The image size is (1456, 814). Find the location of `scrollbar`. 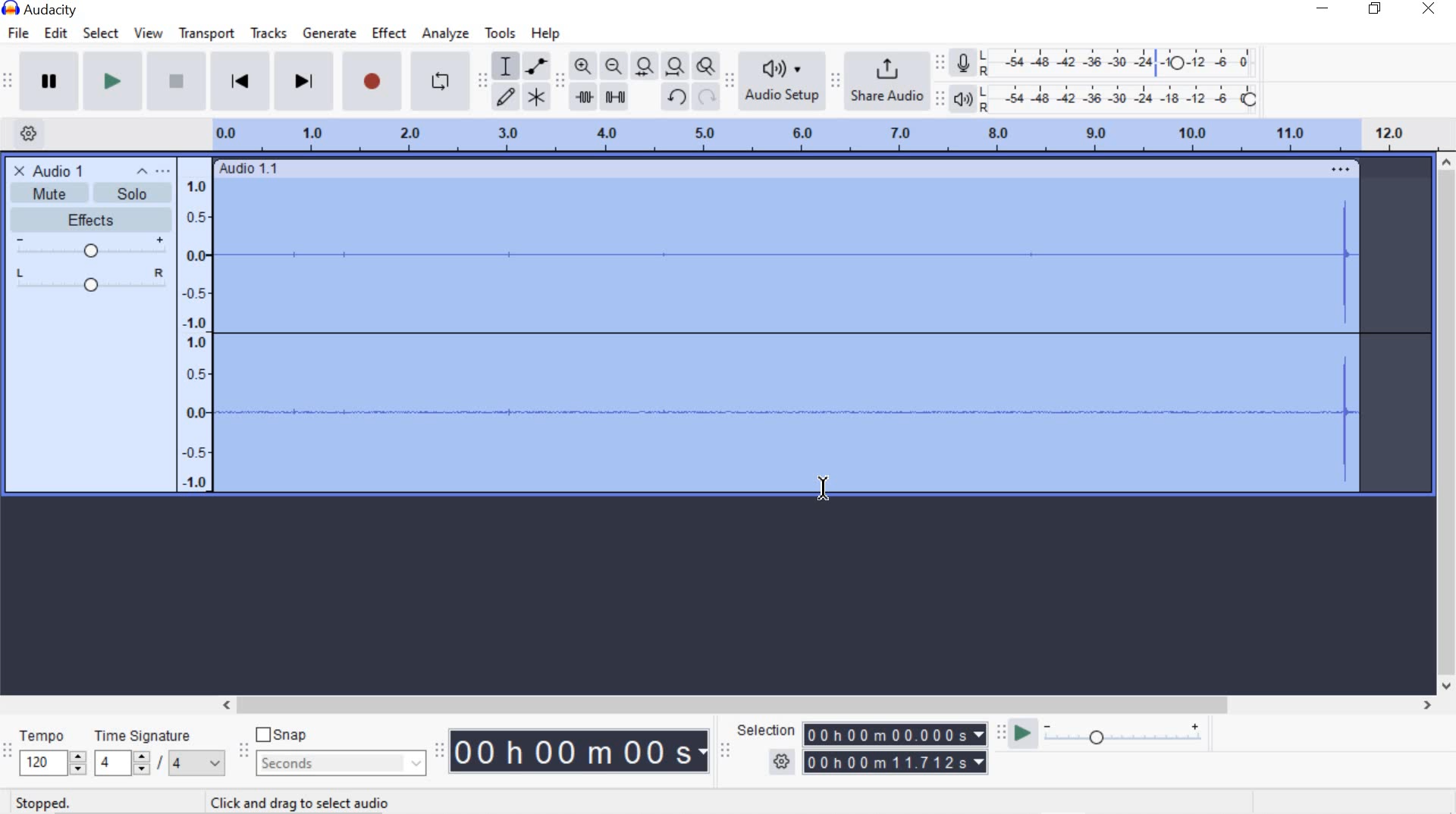

scrollbar is located at coordinates (1447, 424).